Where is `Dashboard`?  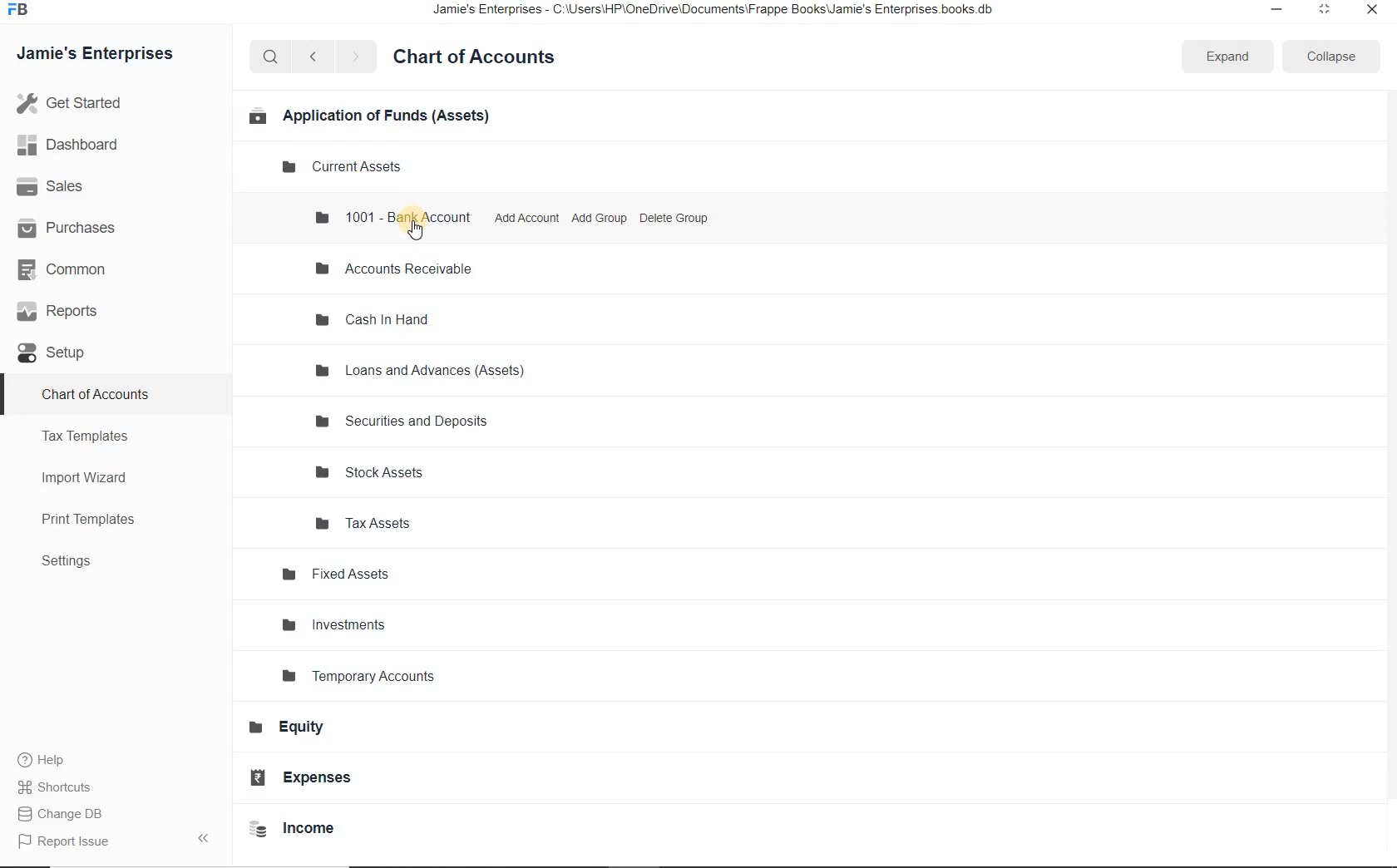
Dashboard is located at coordinates (86, 146).